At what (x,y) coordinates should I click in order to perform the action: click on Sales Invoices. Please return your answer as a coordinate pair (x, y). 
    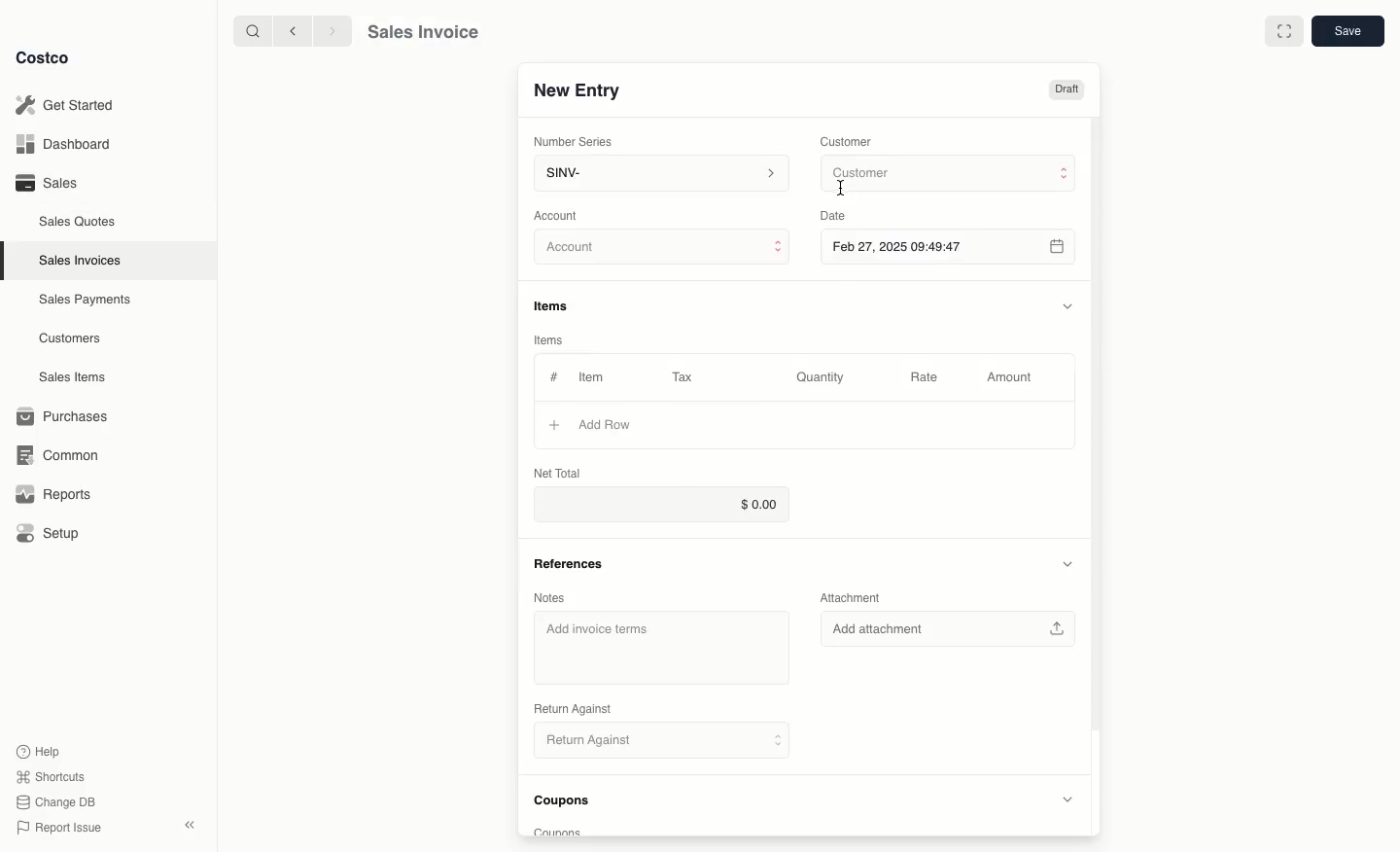
    Looking at the image, I should click on (83, 260).